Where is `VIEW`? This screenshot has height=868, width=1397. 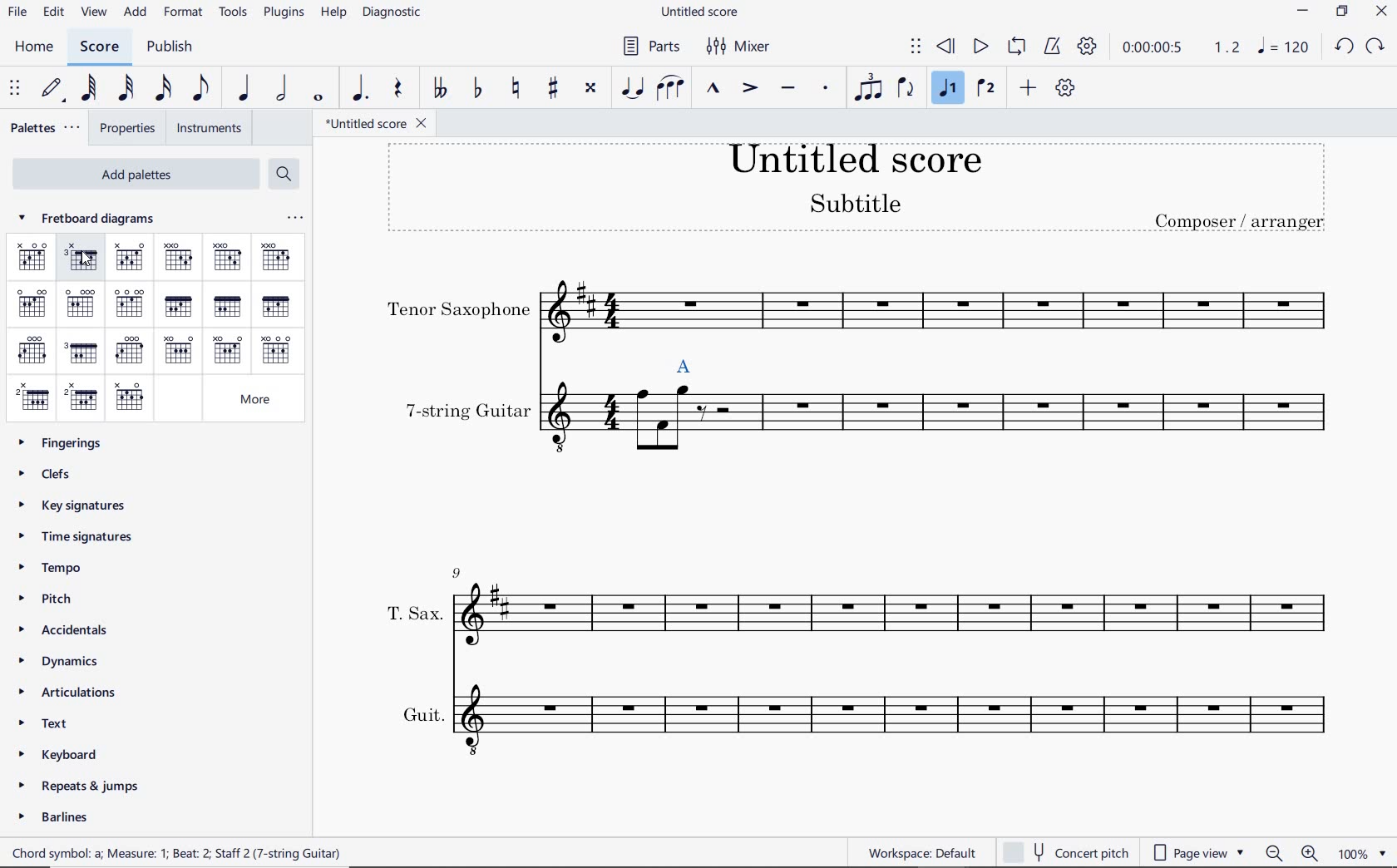 VIEW is located at coordinates (93, 12).